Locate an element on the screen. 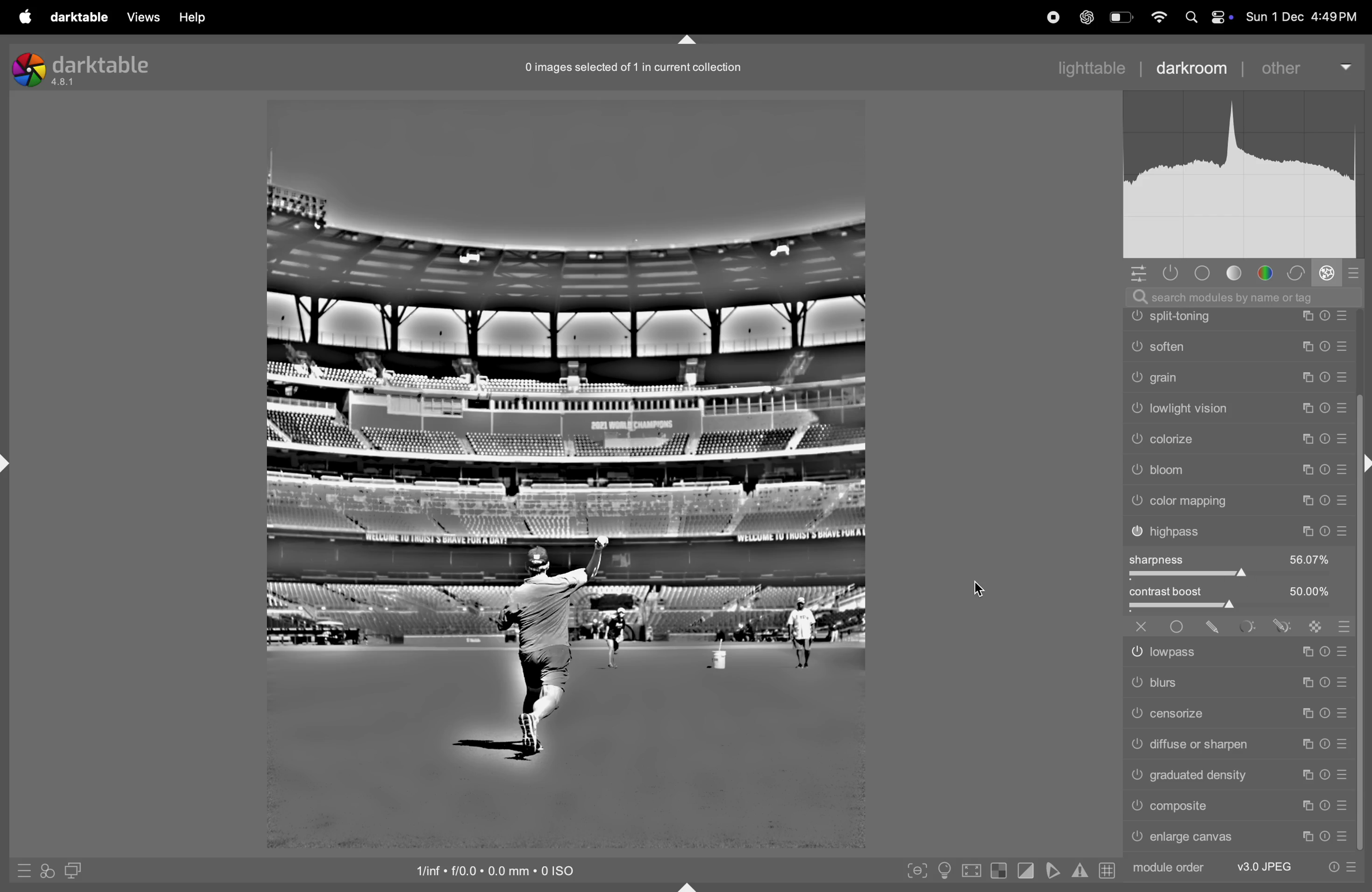 This screenshot has width=1372, height=892. record is located at coordinates (1046, 17).